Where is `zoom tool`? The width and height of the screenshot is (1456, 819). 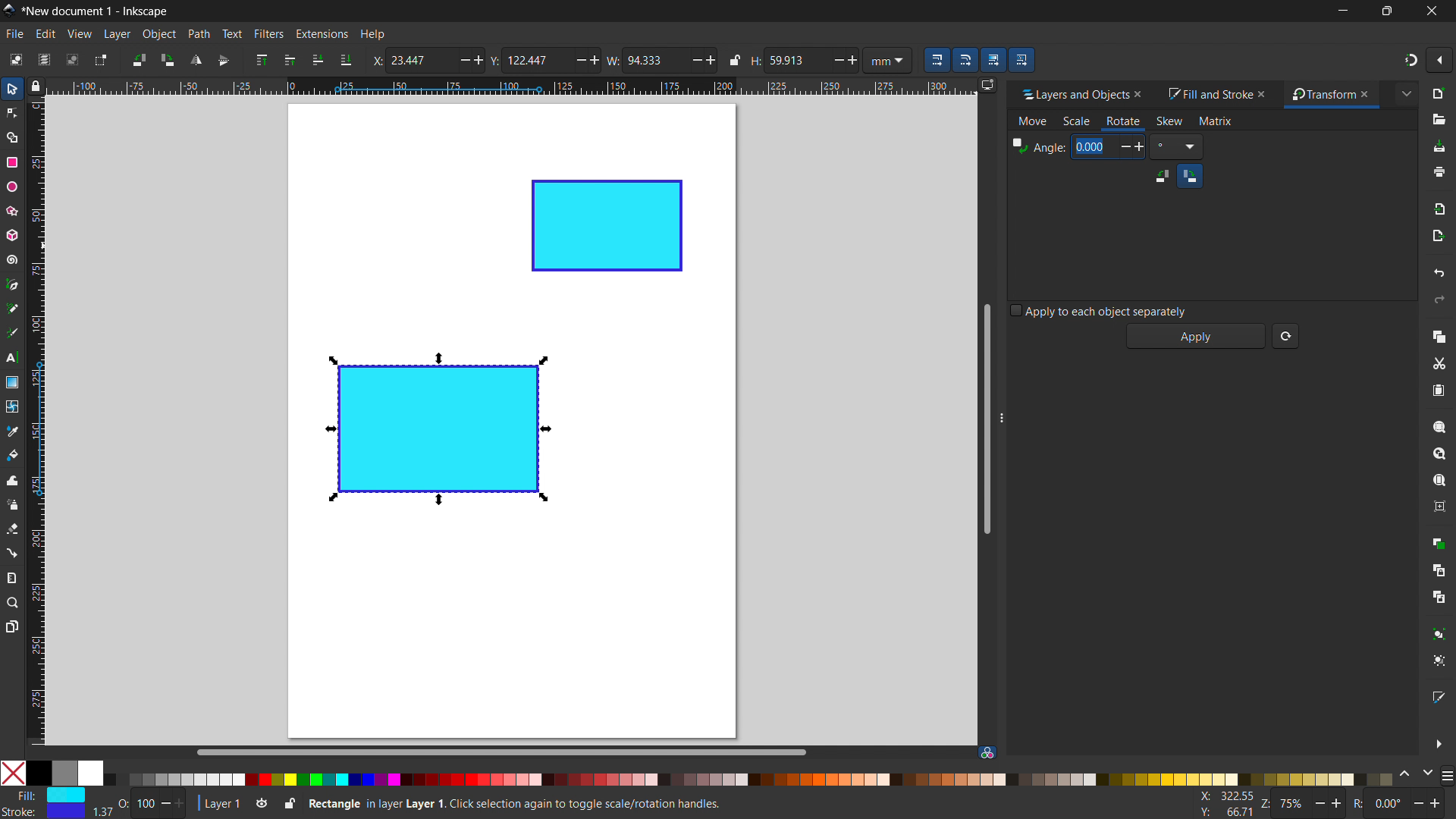
zoom tool is located at coordinates (13, 601).